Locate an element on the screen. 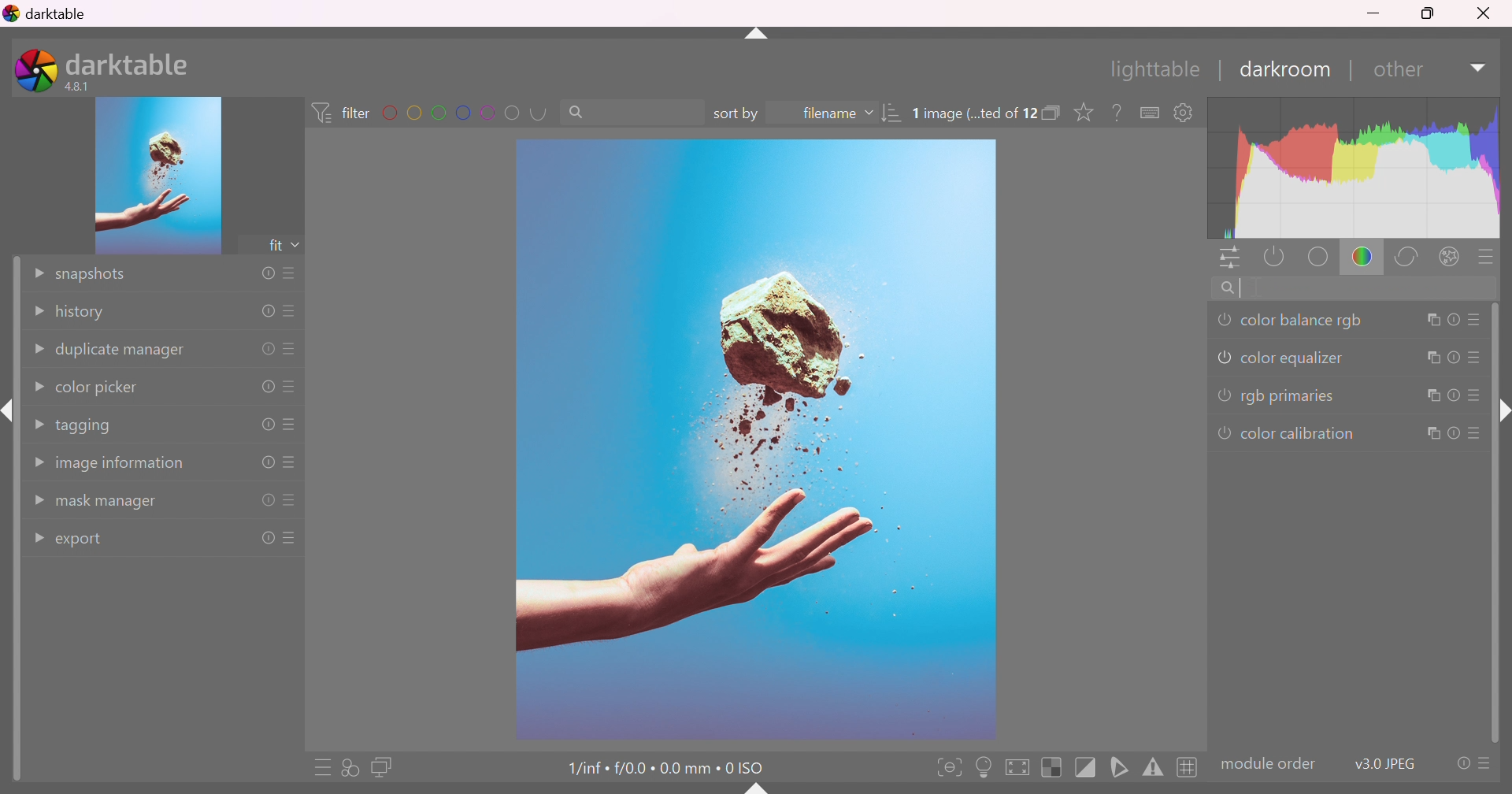 Image resolution: width=1512 pixels, height=794 pixels. toggle gamut checking is located at coordinates (1154, 770).